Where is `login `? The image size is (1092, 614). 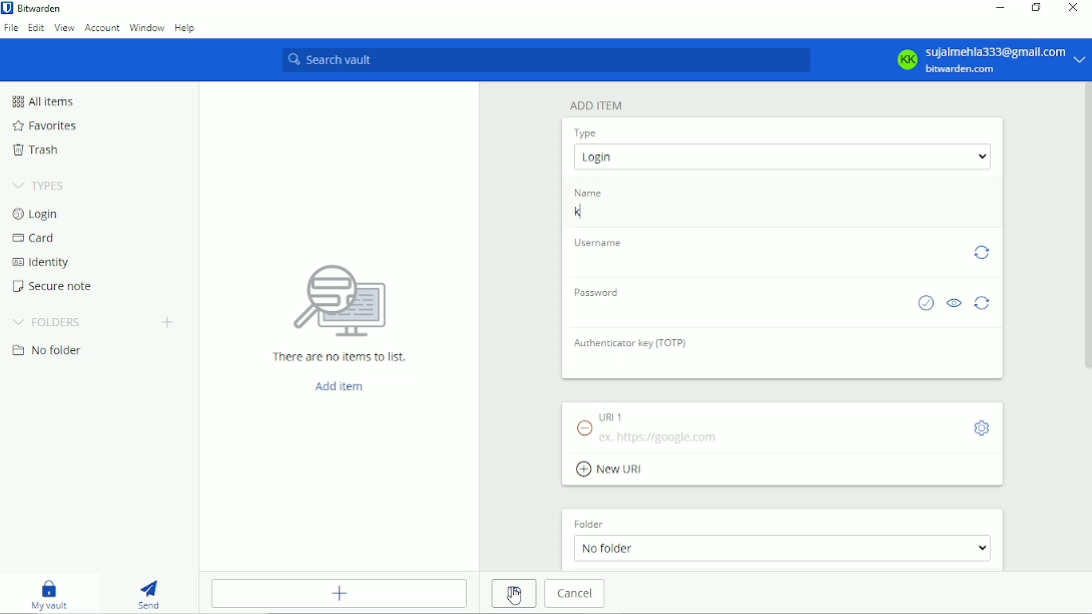 login  is located at coordinates (782, 156).